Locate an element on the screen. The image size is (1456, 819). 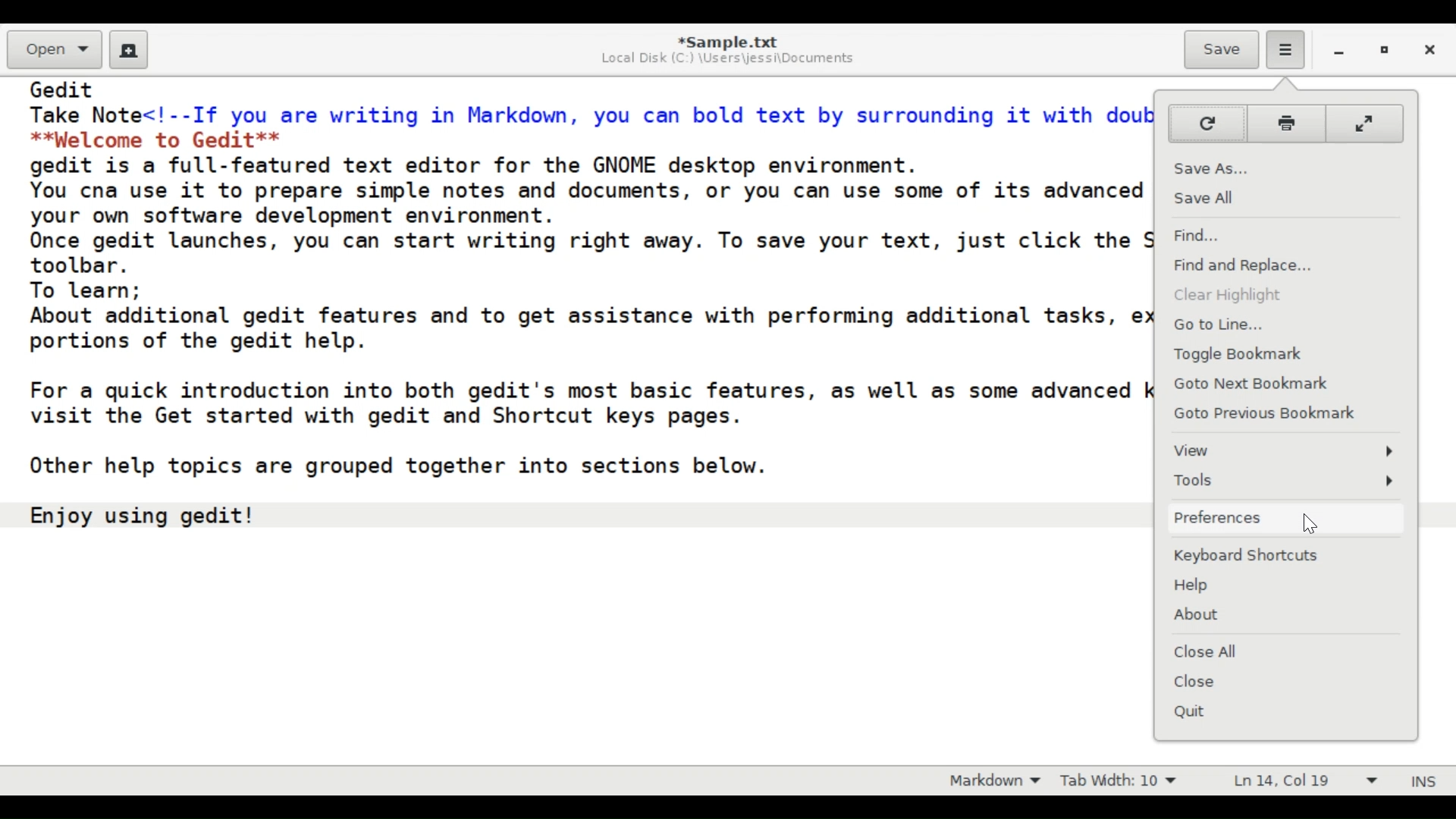
Goto Next Bookmark is located at coordinates (1282, 381).